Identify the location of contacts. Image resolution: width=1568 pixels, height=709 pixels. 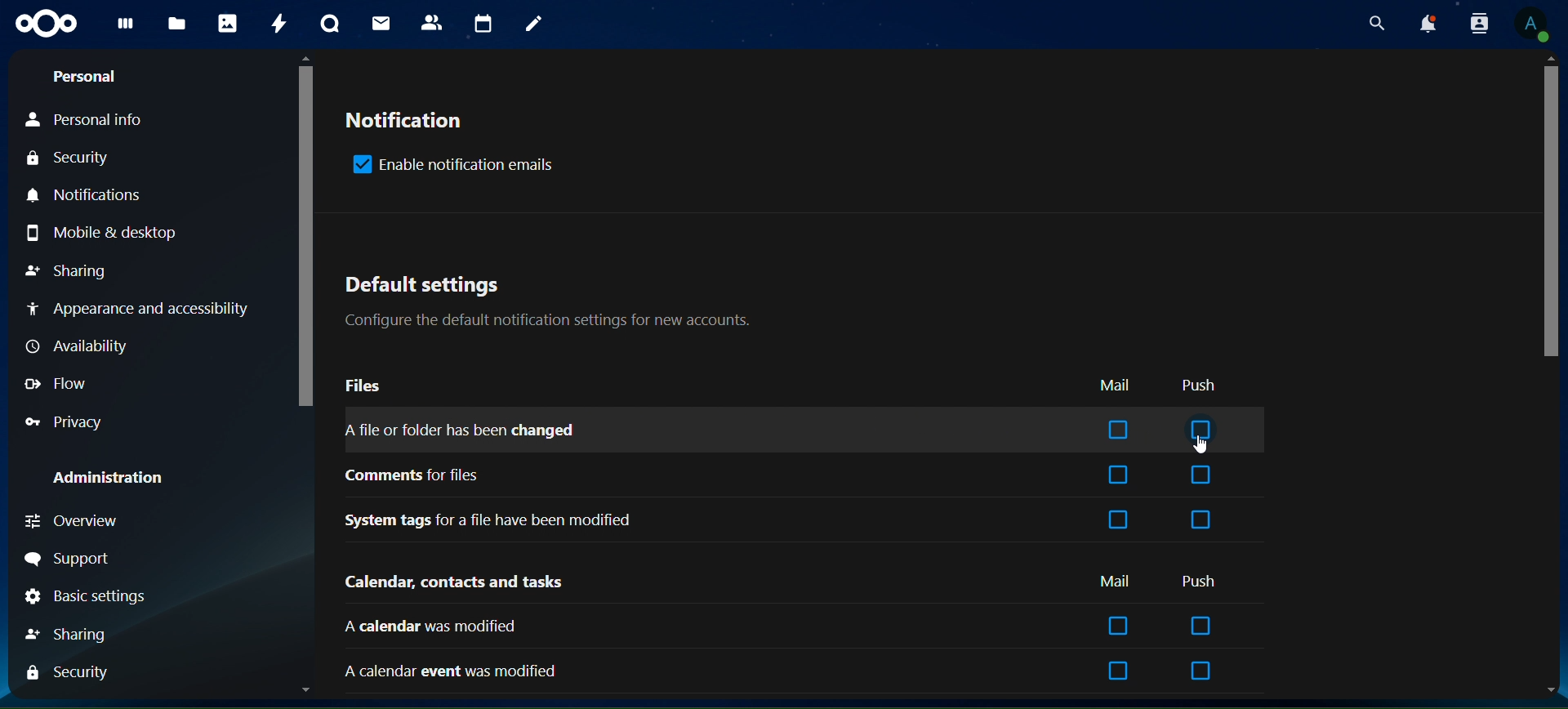
(432, 23).